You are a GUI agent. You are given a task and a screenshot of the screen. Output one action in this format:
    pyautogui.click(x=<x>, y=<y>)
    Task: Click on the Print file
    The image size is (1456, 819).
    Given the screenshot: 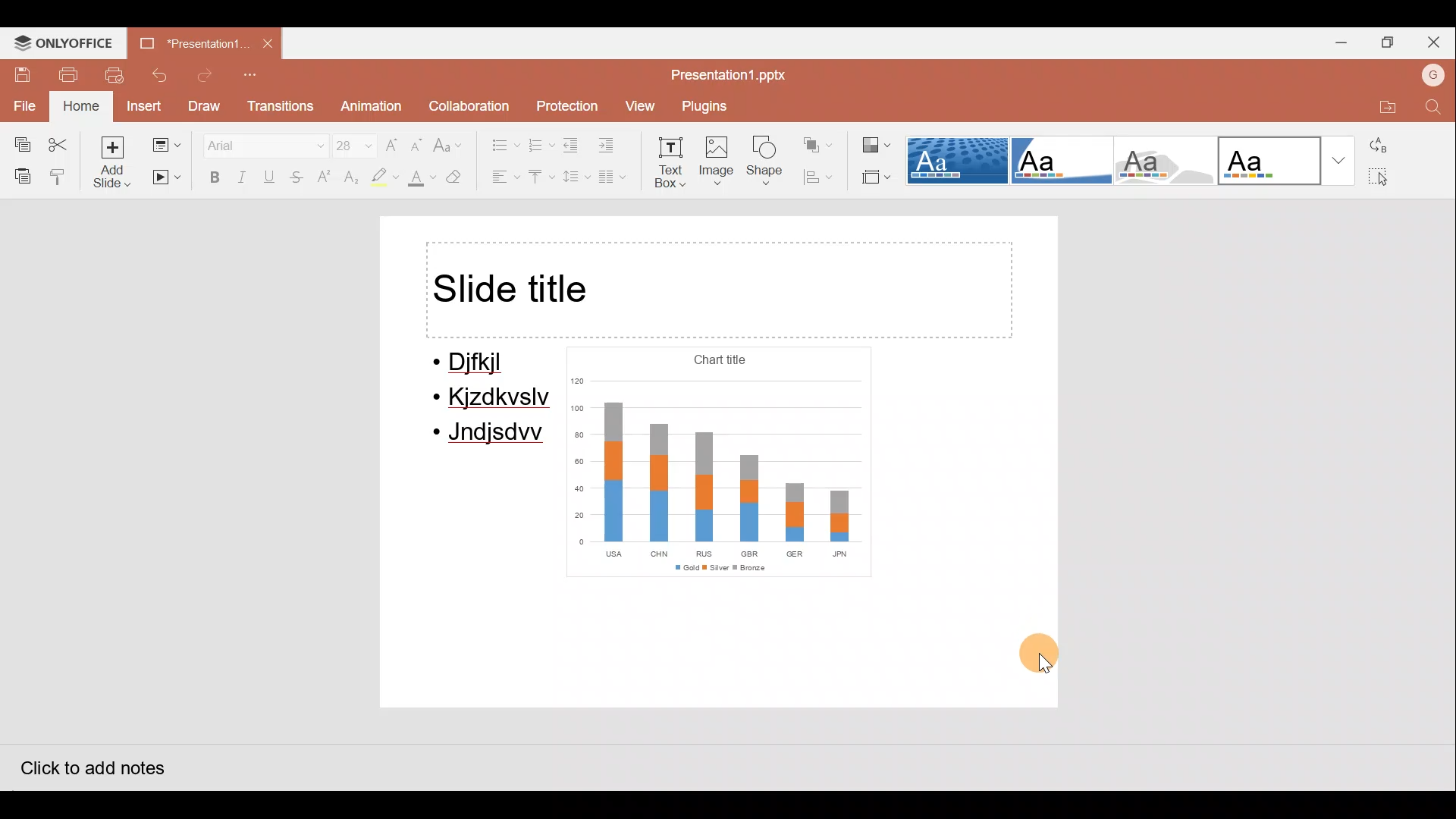 What is the action you would take?
    pyautogui.click(x=58, y=74)
    